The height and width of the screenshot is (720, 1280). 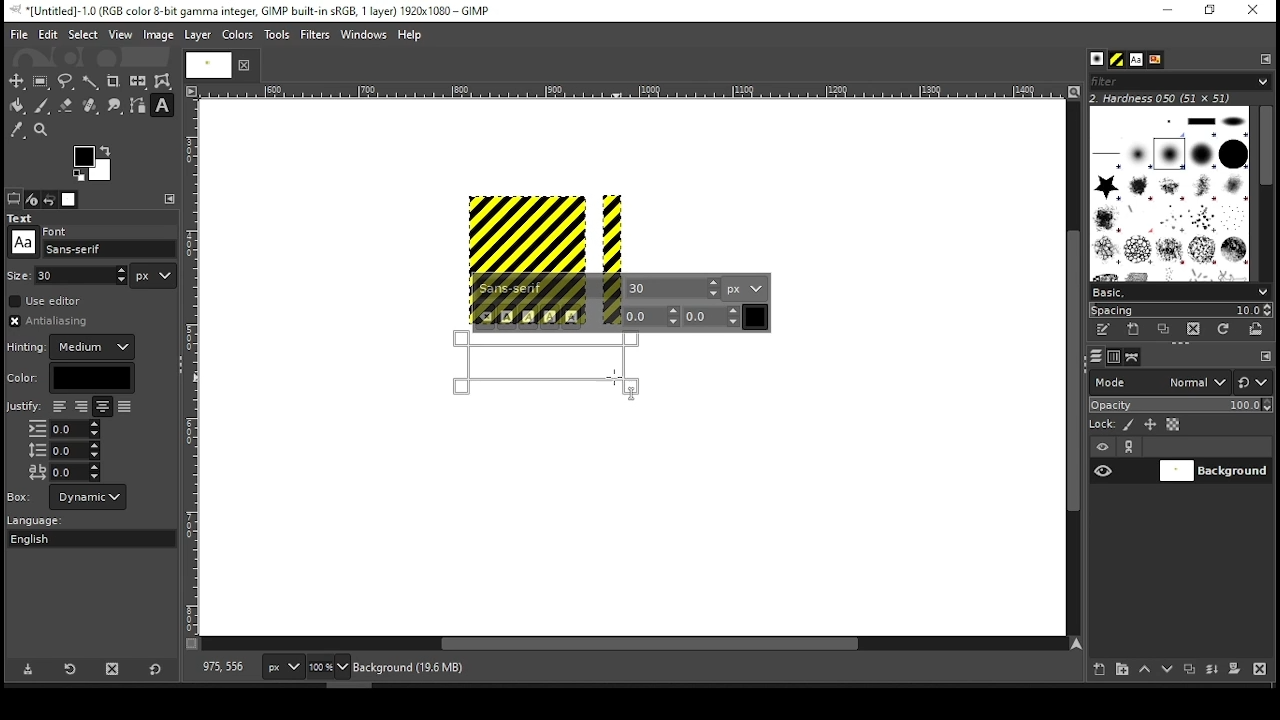 I want to click on tool options, so click(x=14, y=198).